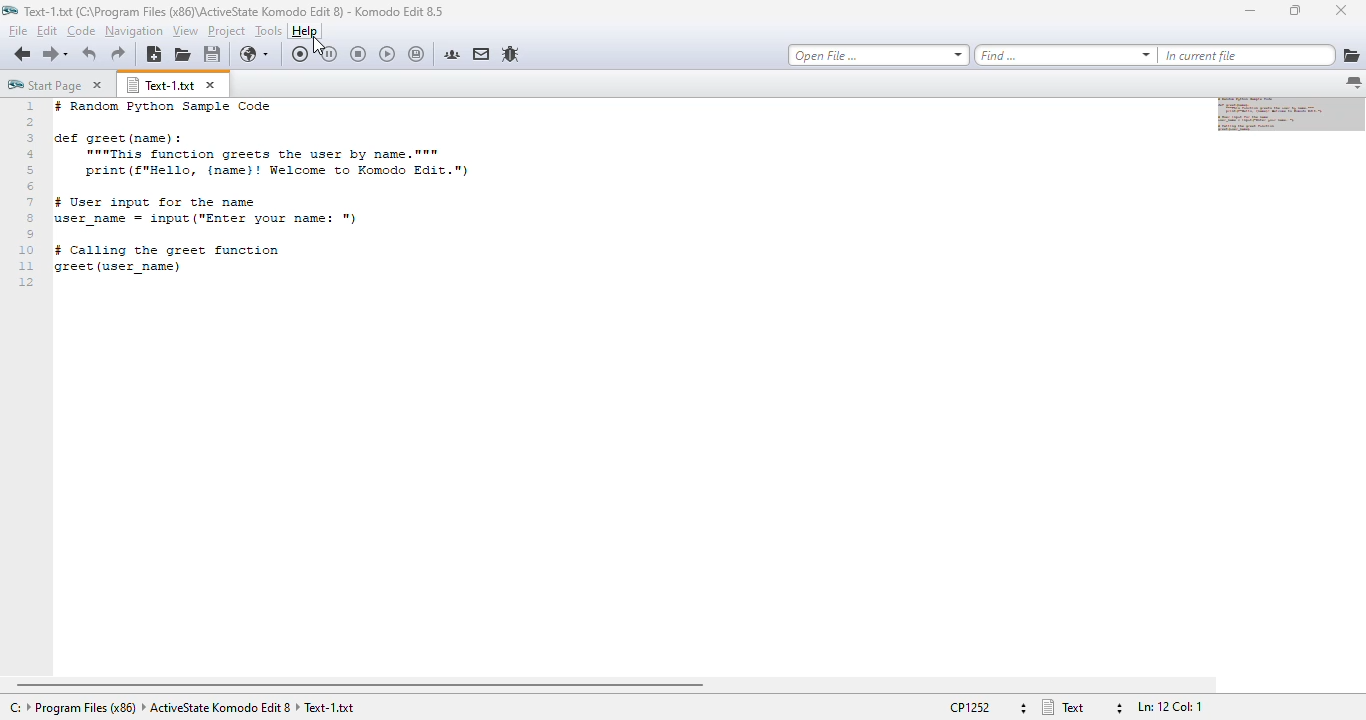  What do you see at coordinates (23, 53) in the screenshot?
I see `go back one location` at bounding box center [23, 53].